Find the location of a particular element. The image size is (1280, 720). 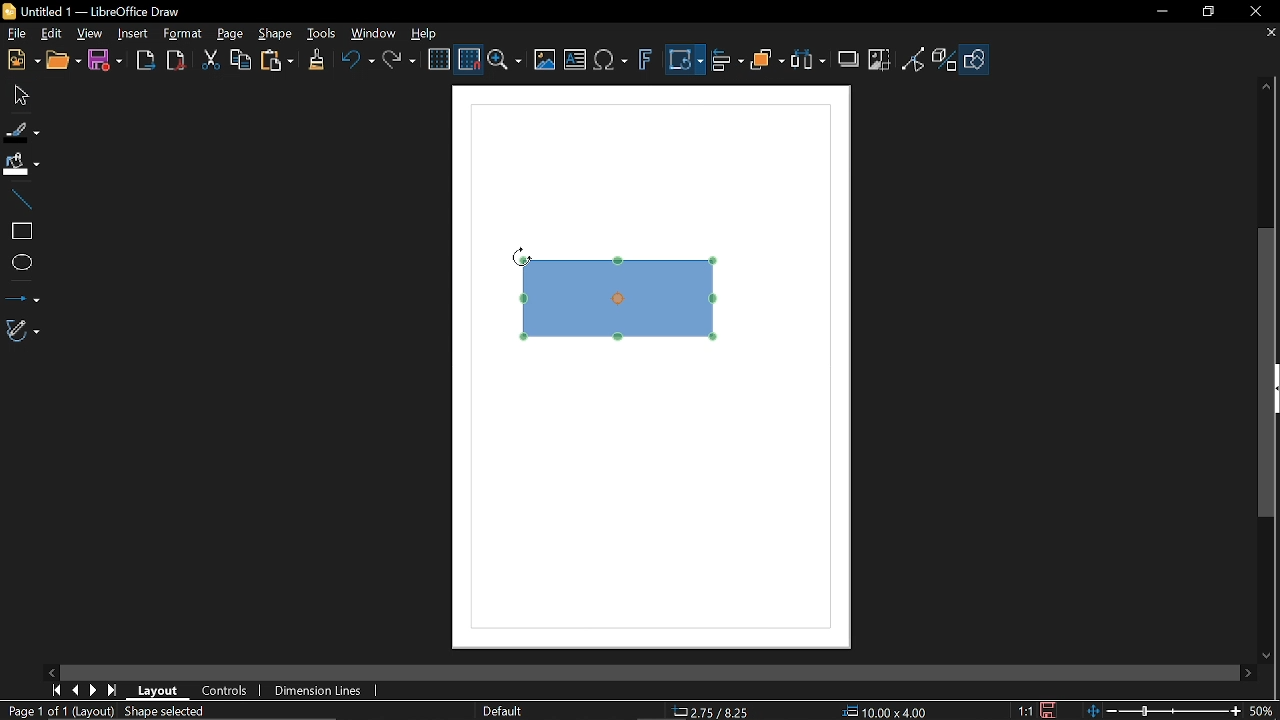

Curves and polygons is located at coordinates (23, 330).